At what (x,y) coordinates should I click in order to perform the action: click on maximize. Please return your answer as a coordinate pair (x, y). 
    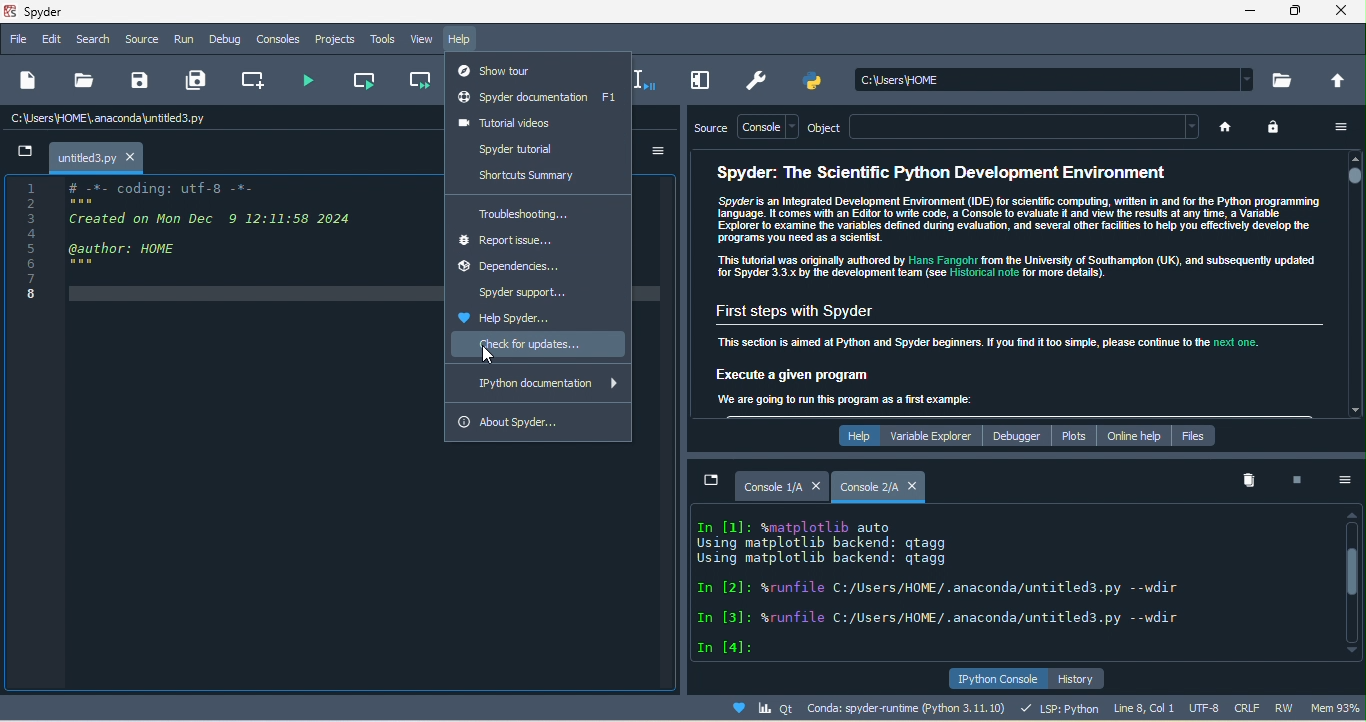
    Looking at the image, I should click on (1295, 12).